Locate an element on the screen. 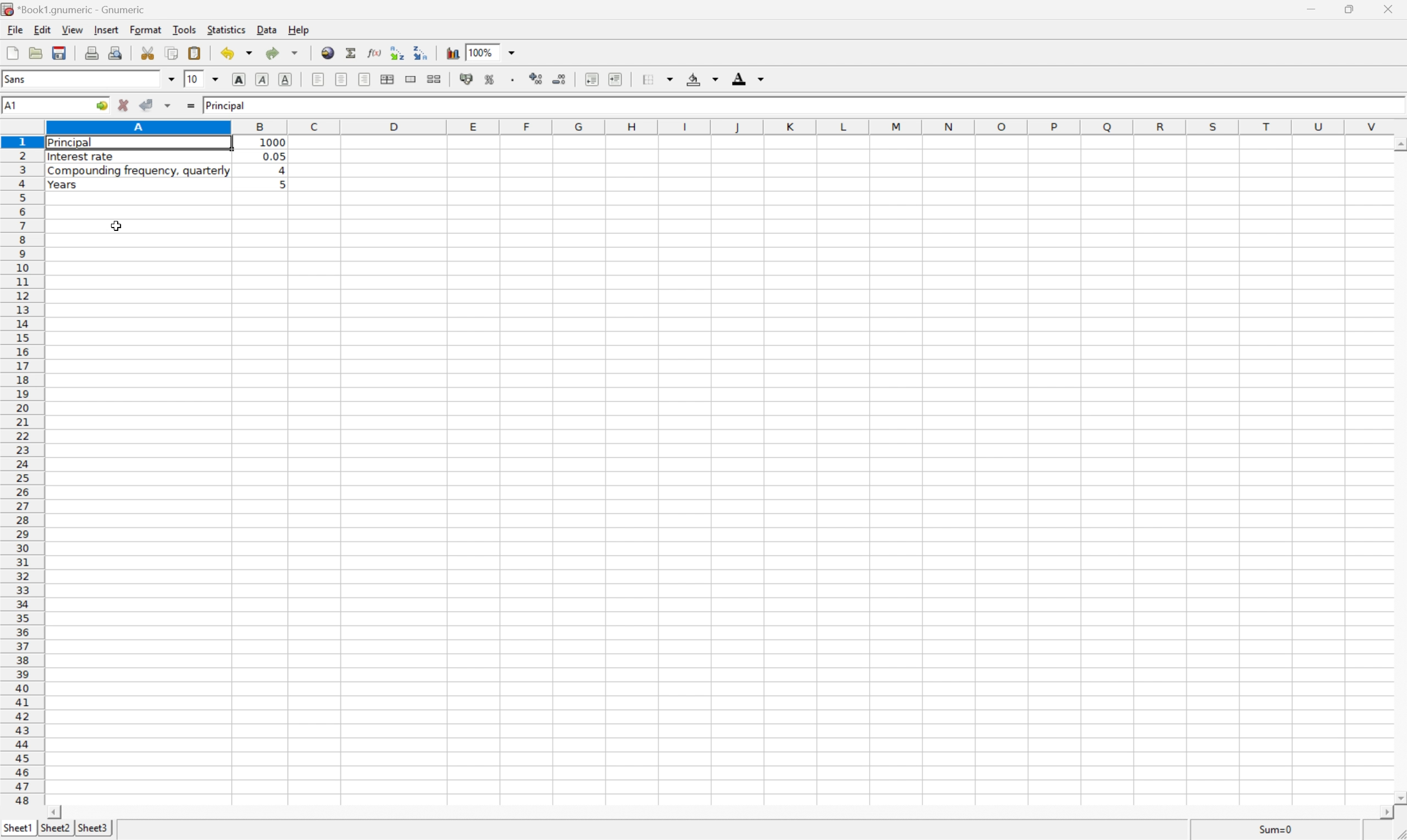  accept changes across selection is located at coordinates (168, 105).